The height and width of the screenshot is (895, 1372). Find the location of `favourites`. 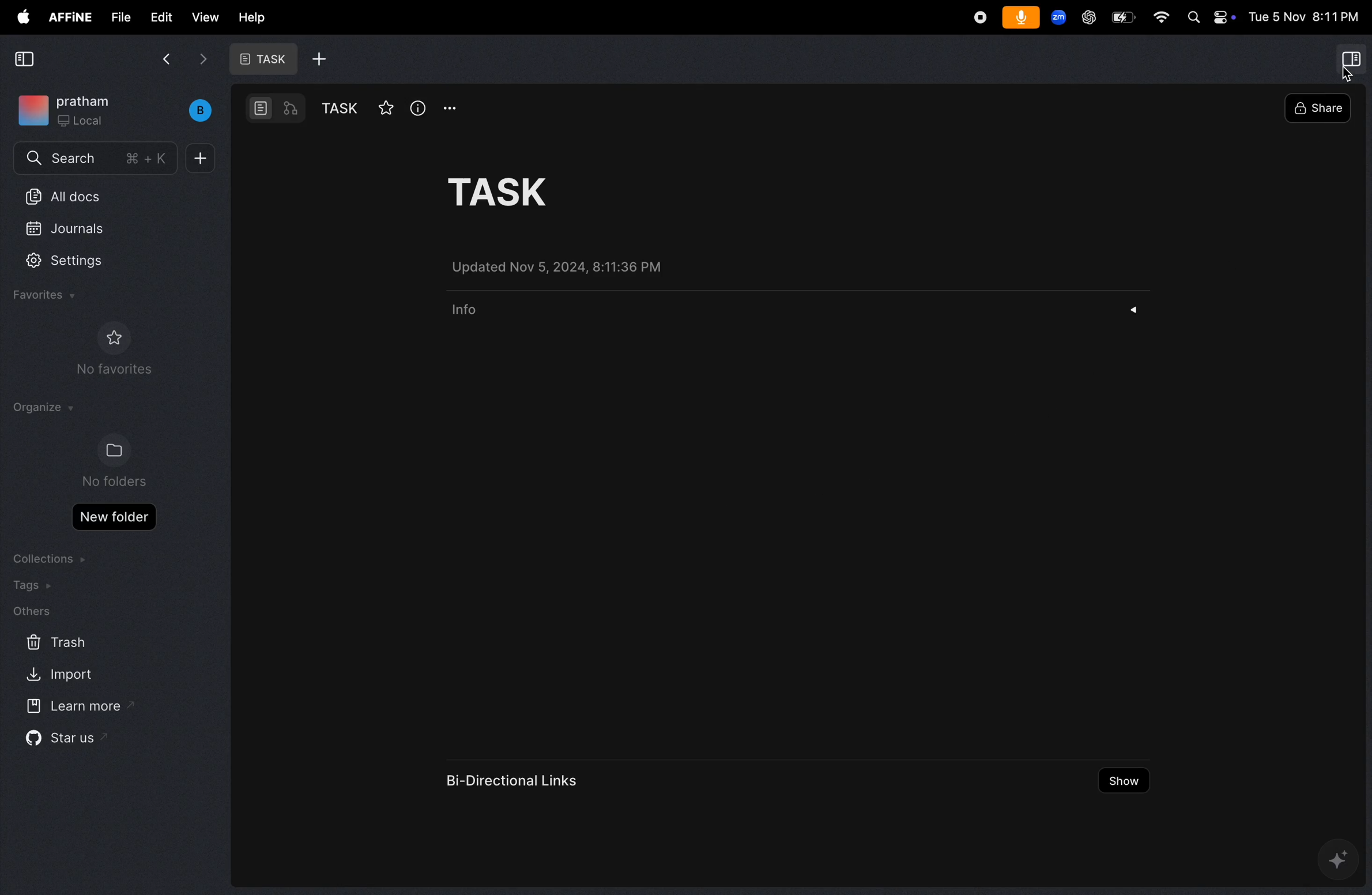

favourites is located at coordinates (48, 296).